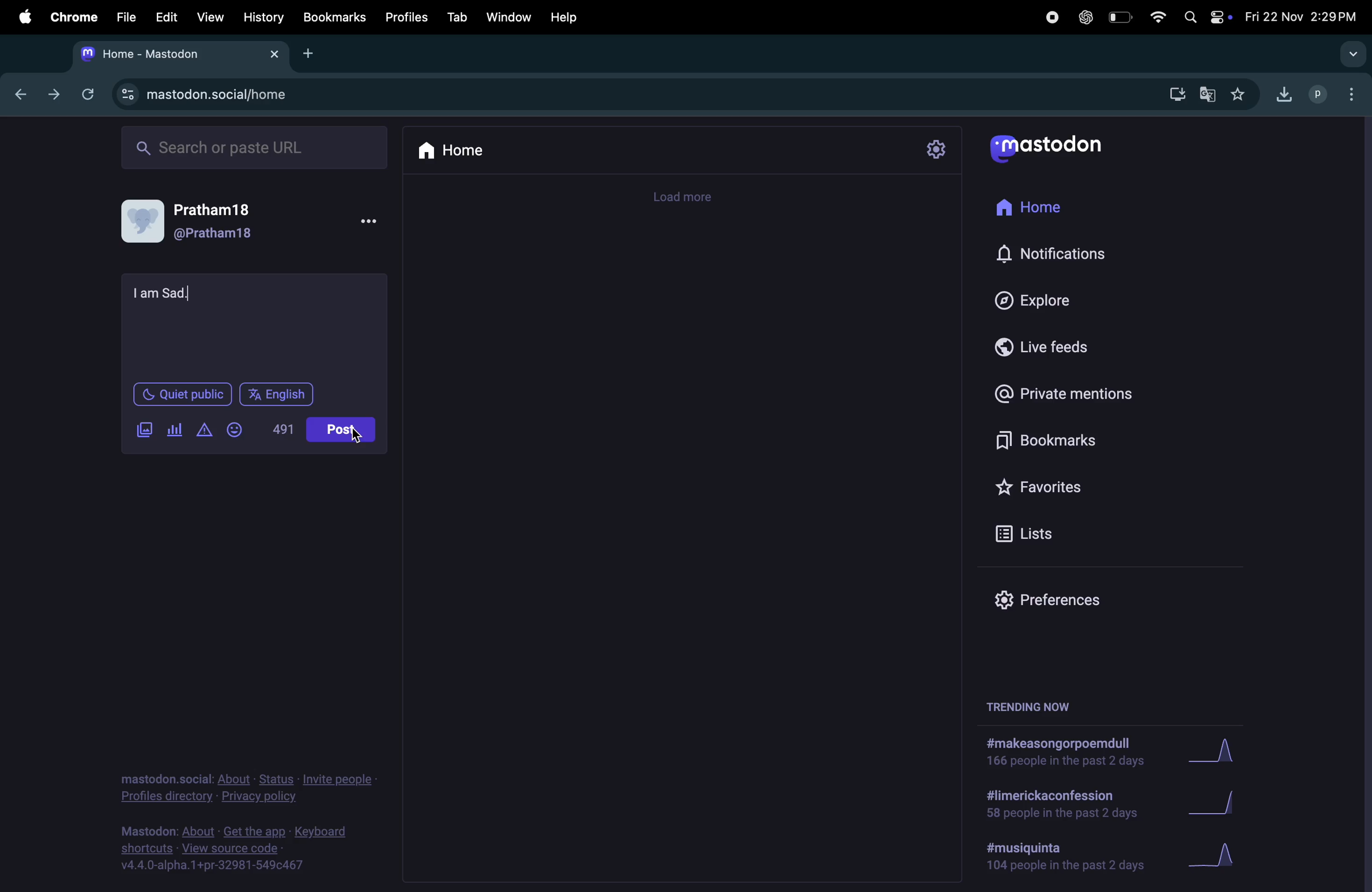  What do you see at coordinates (277, 395) in the screenshot?
I see `english` at bounding box center [277, 395].